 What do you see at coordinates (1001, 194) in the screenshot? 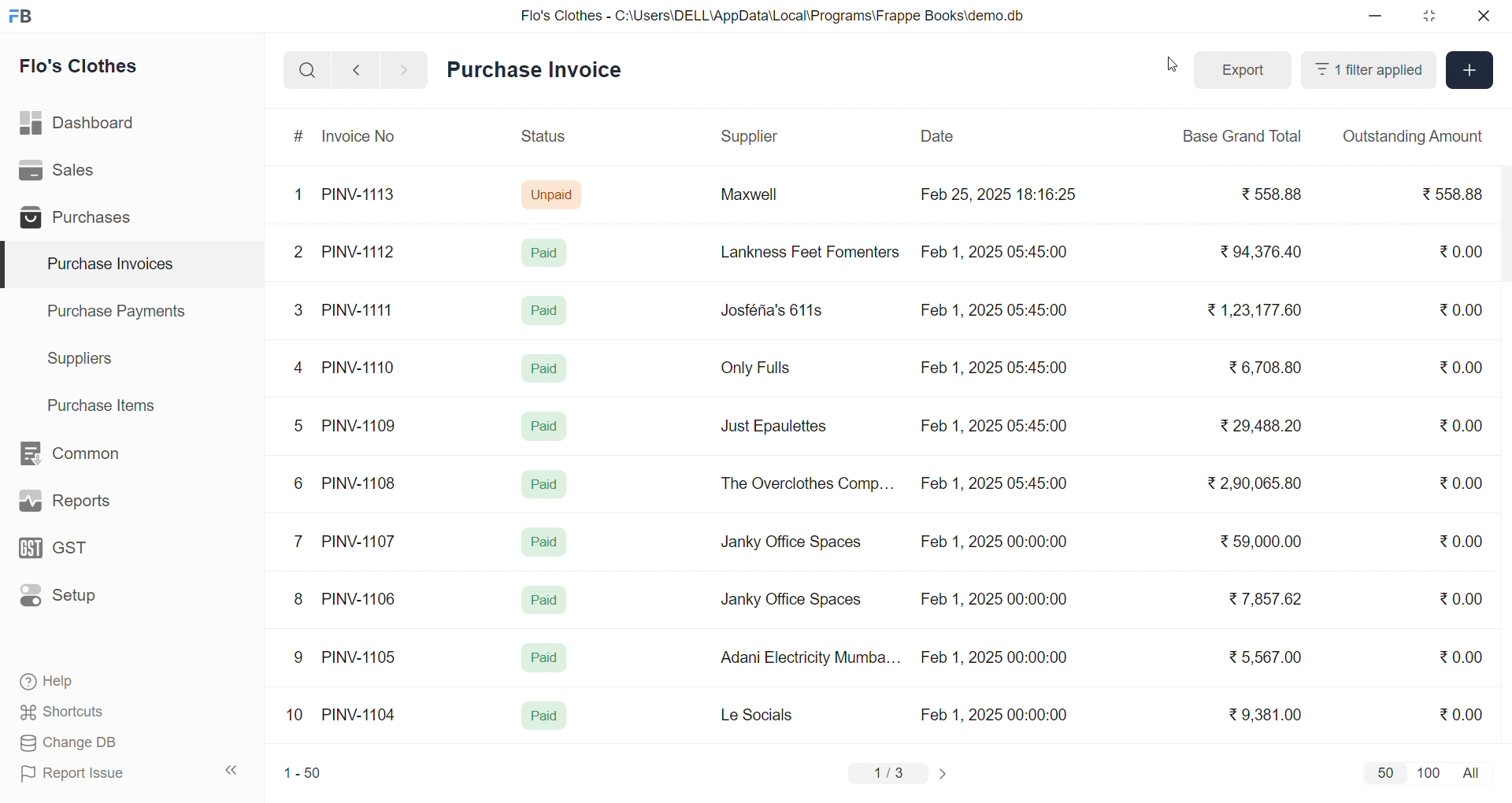
I see `Feb 25, 2025 18:16:25` at bounding box center [1001, 194].